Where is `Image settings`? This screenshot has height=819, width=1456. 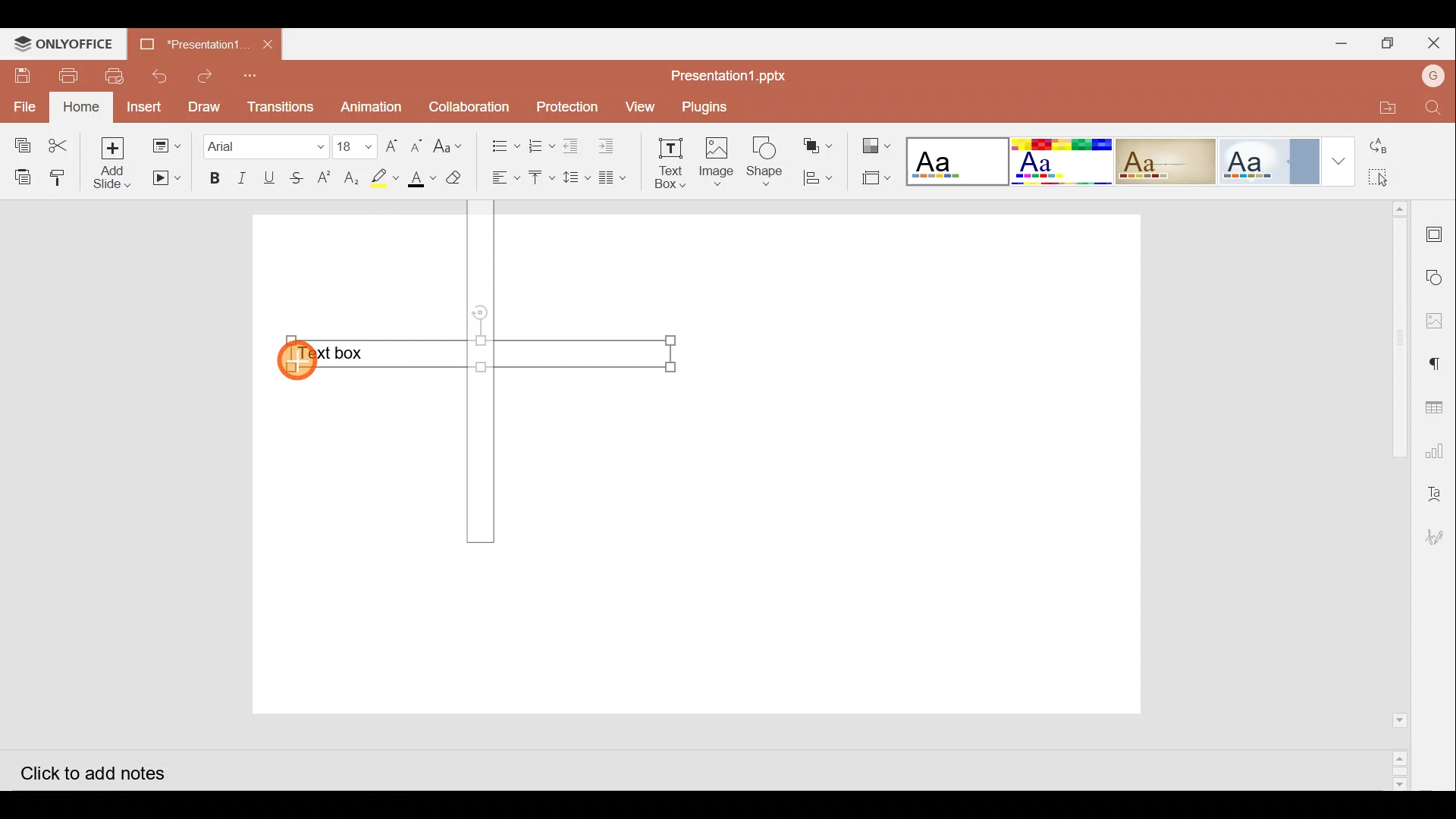
Image settings is located at coordinates (1439, 321).